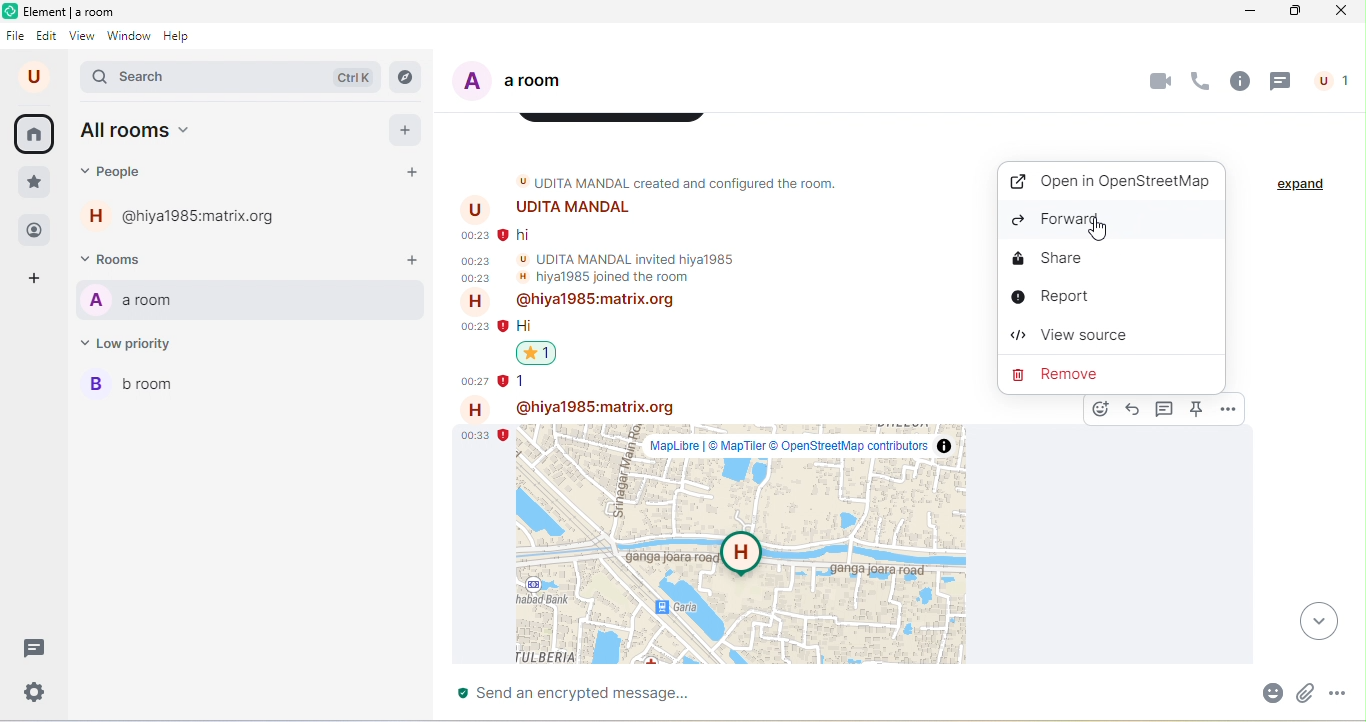 The image size is (1366, 722). Describe the element at coordinates (183, 215) in the screenshot. I see `hiya 1985` at that location.